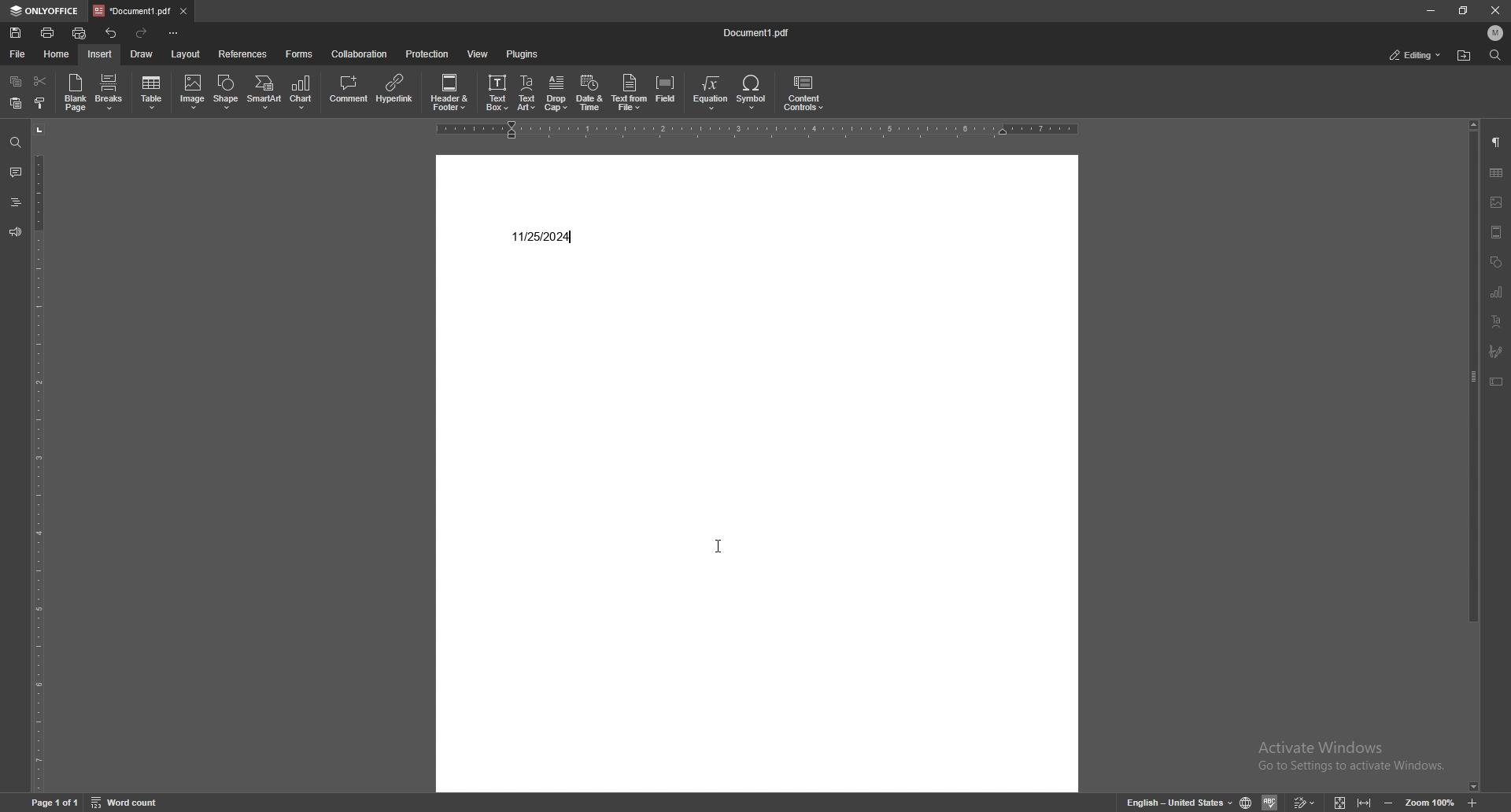  I want to click on chart, so click(1498, 294).